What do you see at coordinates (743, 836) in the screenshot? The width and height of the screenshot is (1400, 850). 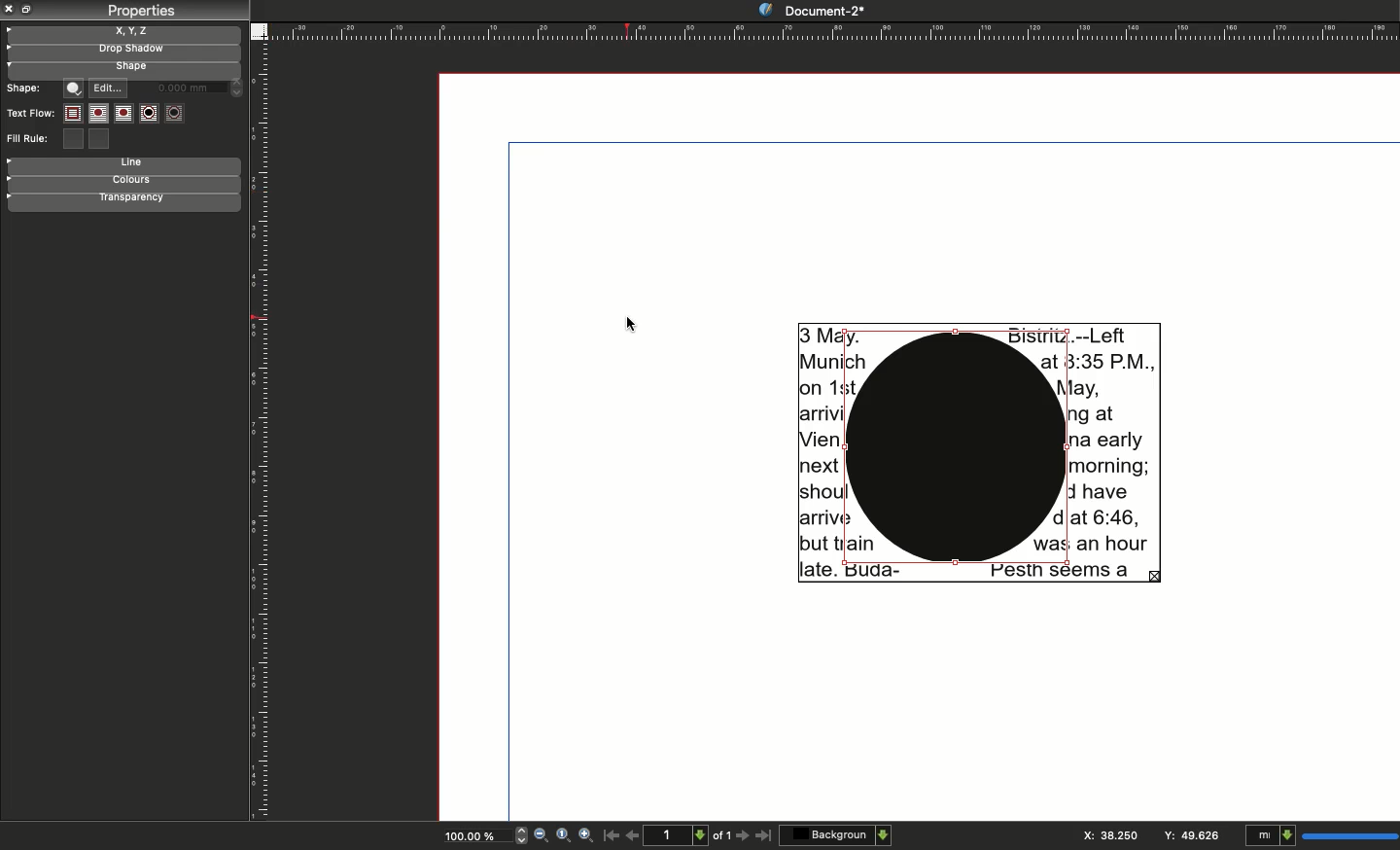 I see `Next page` at bounding box center [743, 836].